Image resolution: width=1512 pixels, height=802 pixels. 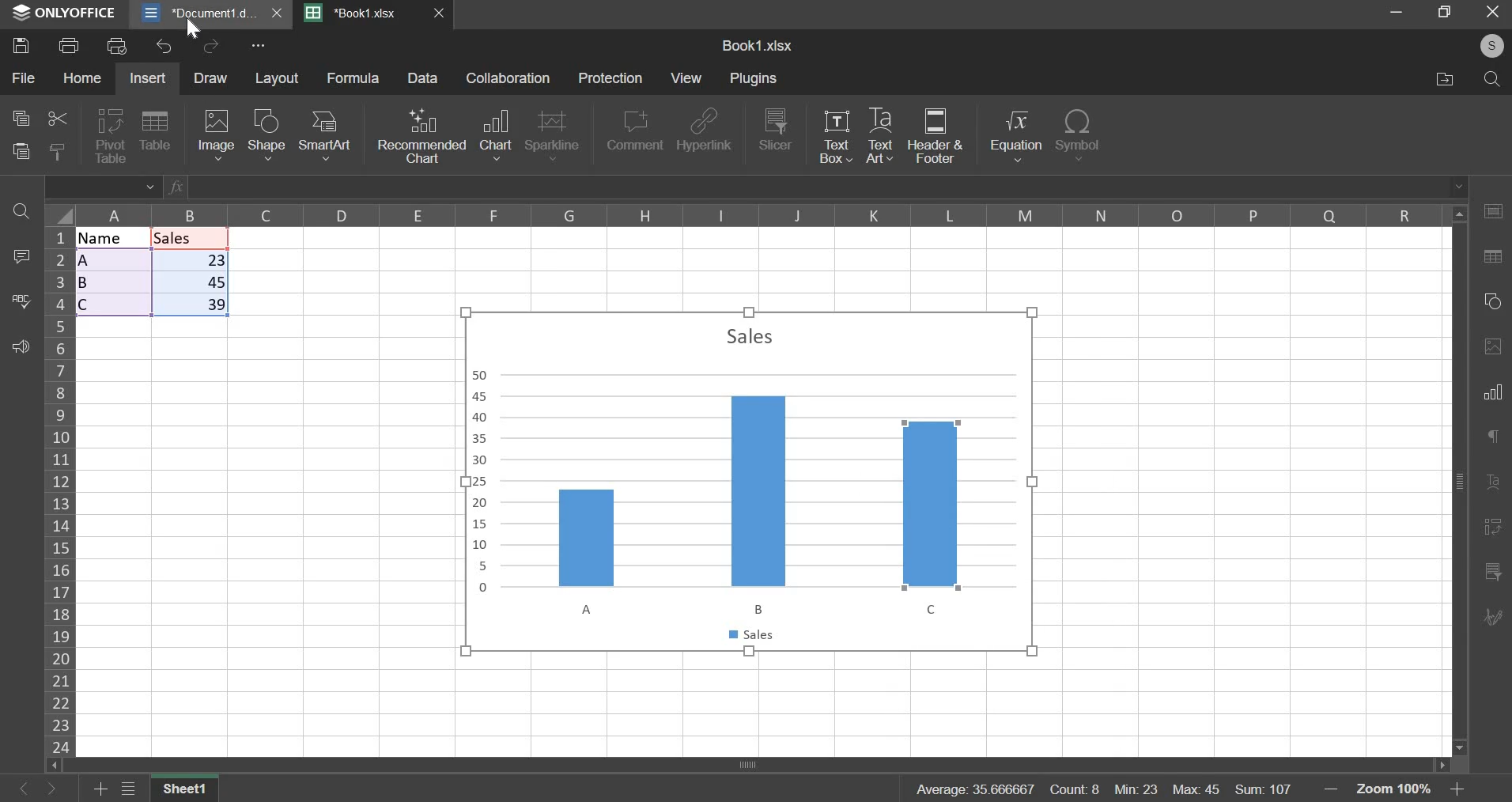 What do you see at coordinates (750, 479) in the screenshot?
I see `chart` at bounding box center [750, 479].